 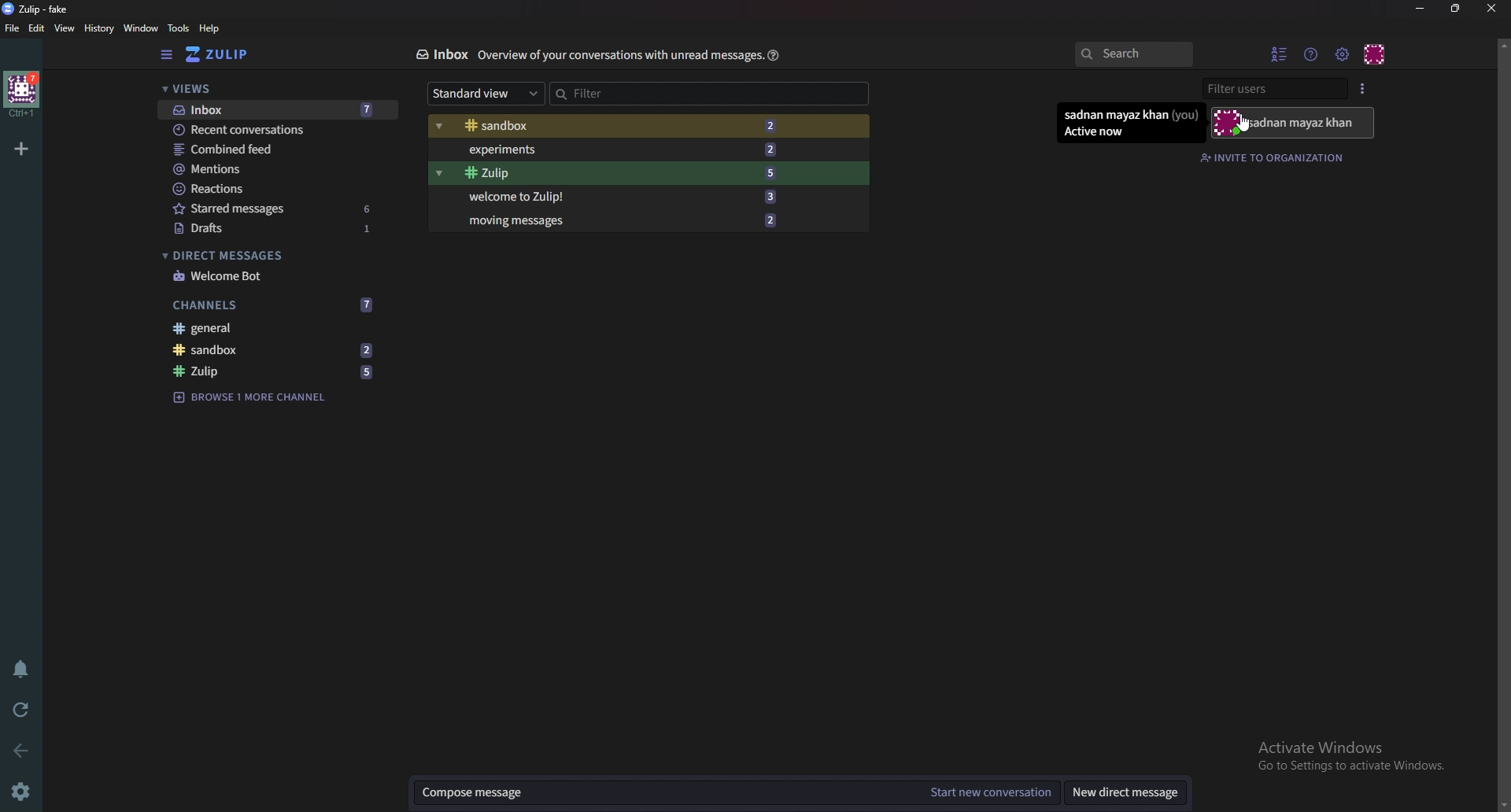 I want to click on compose message, so click(x=663, y=793).